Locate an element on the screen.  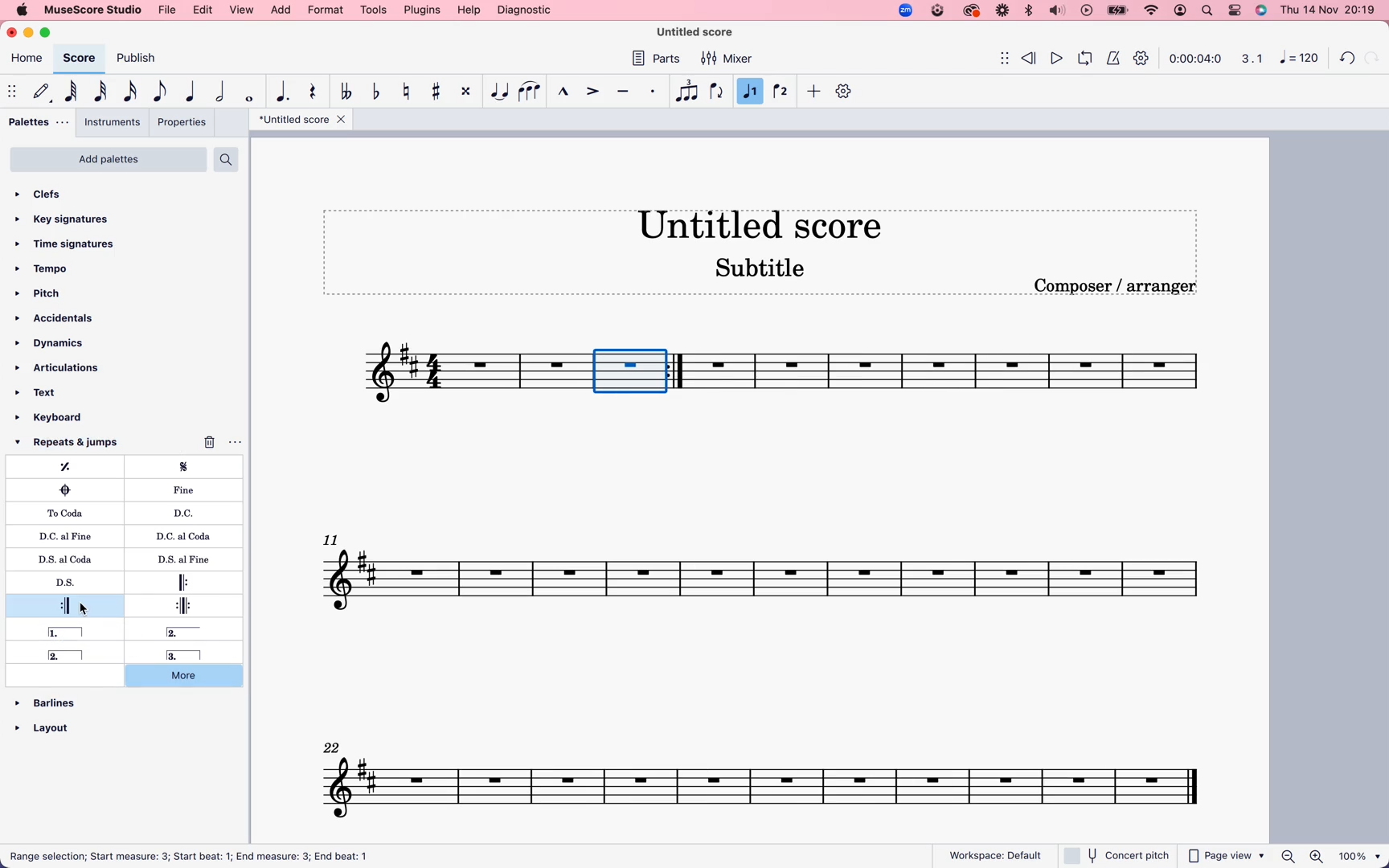
d.c al fine is located at coordinates (69, 535).